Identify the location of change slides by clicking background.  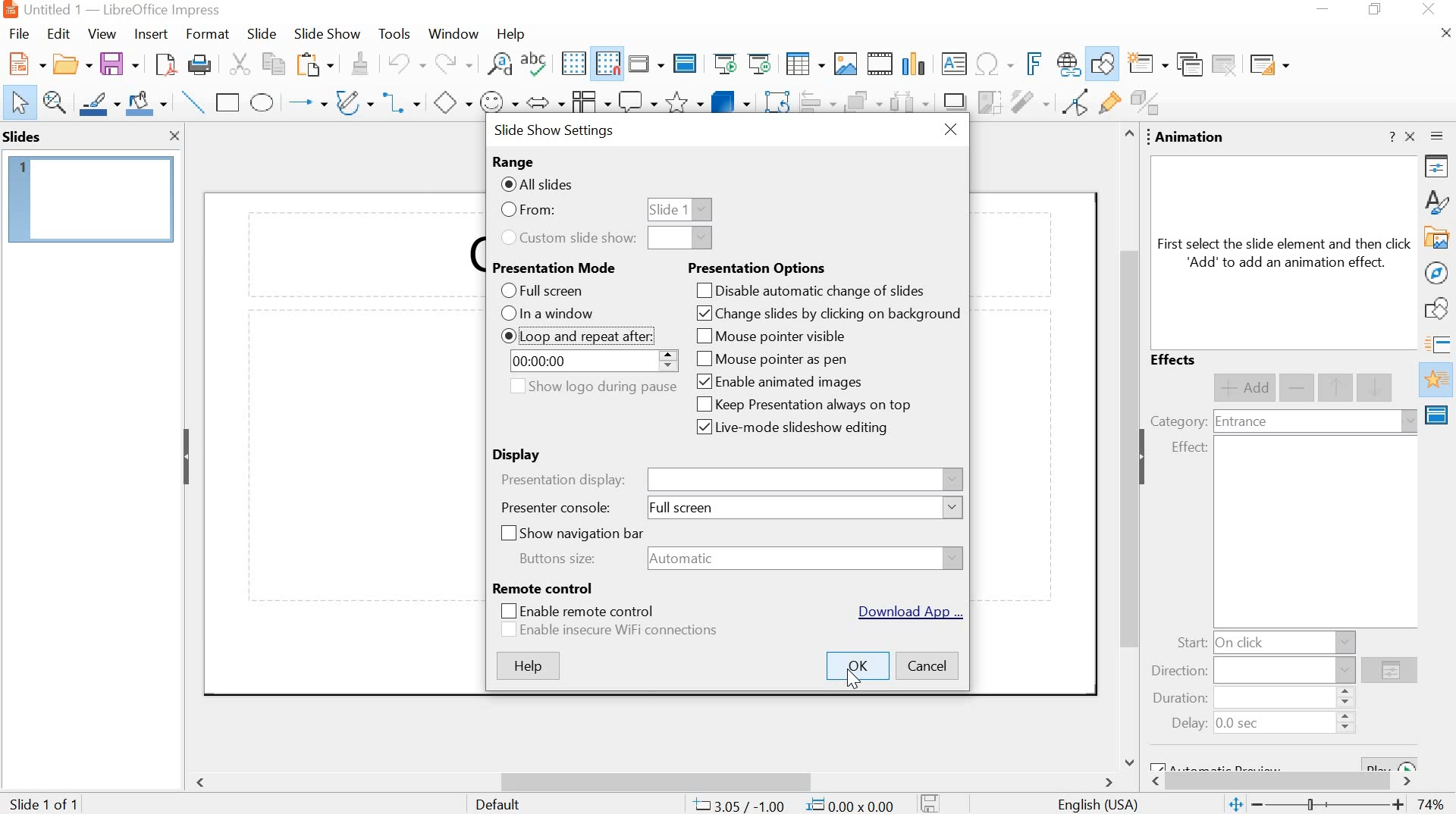
(826, 313).